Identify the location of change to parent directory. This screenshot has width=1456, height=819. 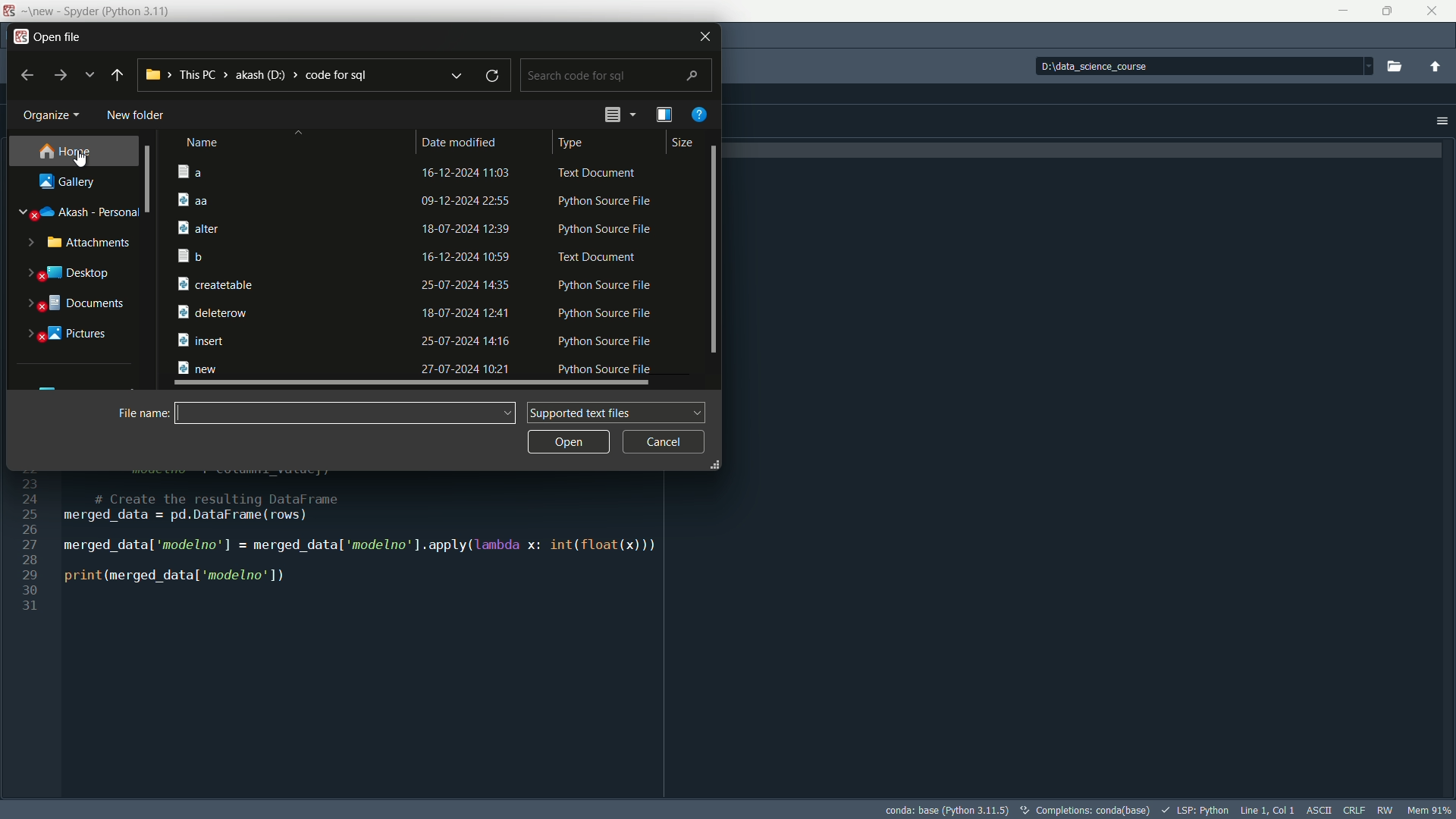
(1436, 67).